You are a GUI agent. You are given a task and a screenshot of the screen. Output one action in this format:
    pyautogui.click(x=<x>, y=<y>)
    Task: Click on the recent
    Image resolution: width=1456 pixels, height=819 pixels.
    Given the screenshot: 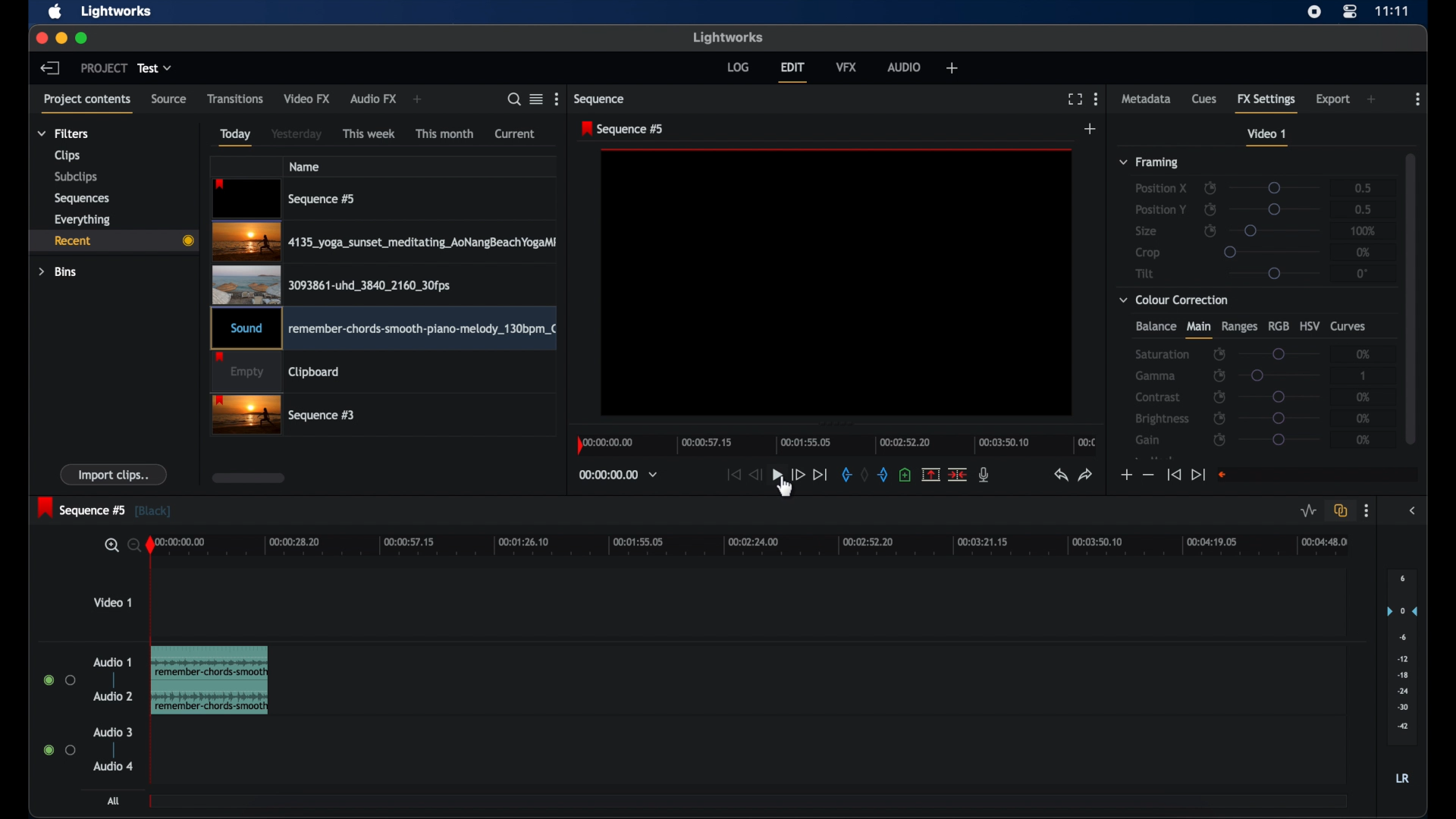 What is the action you would take?
    pyautogui.click(x=111, y=240)
    